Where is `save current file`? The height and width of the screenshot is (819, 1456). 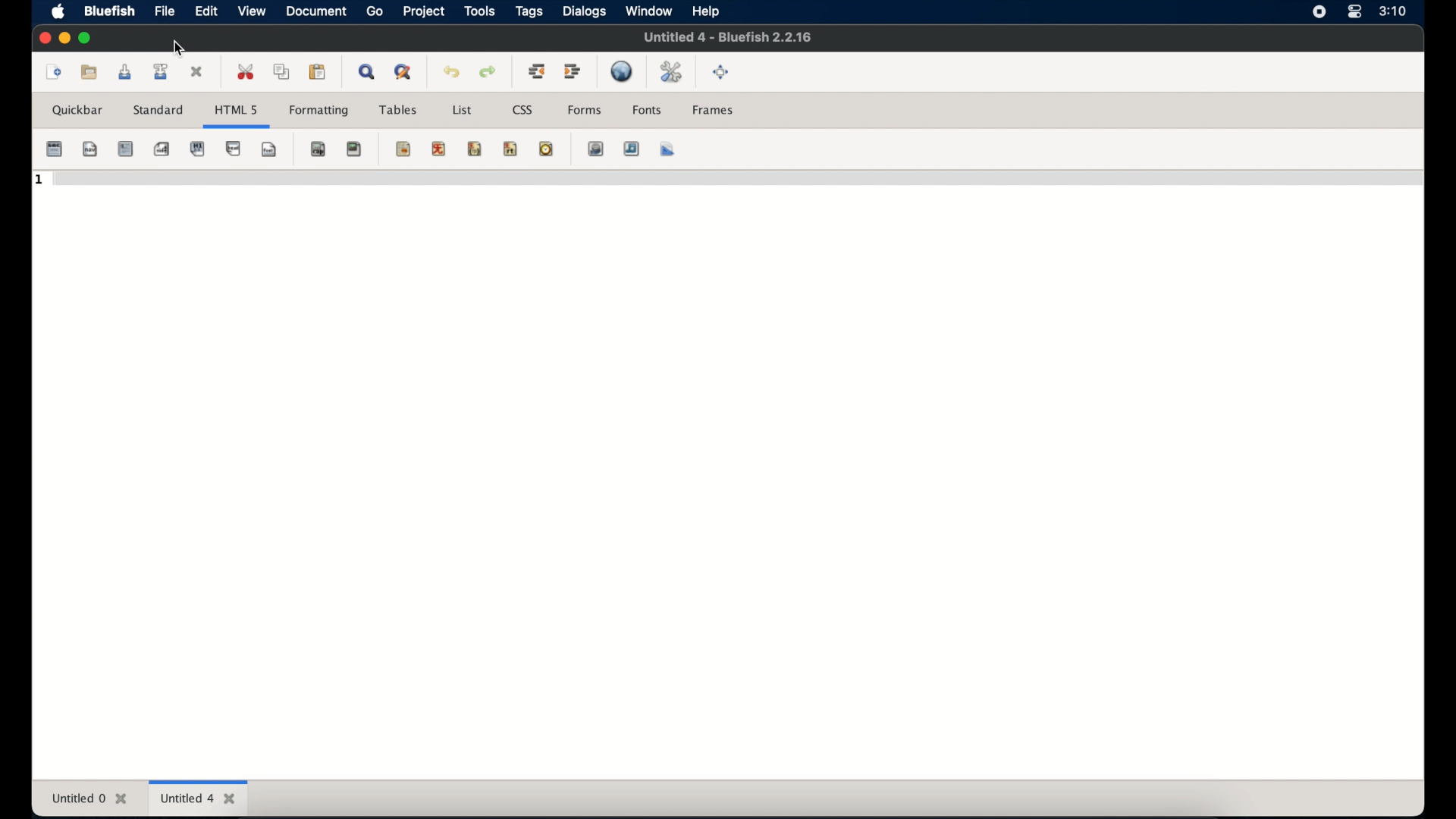 save current file is located at coordinates (125, 72).